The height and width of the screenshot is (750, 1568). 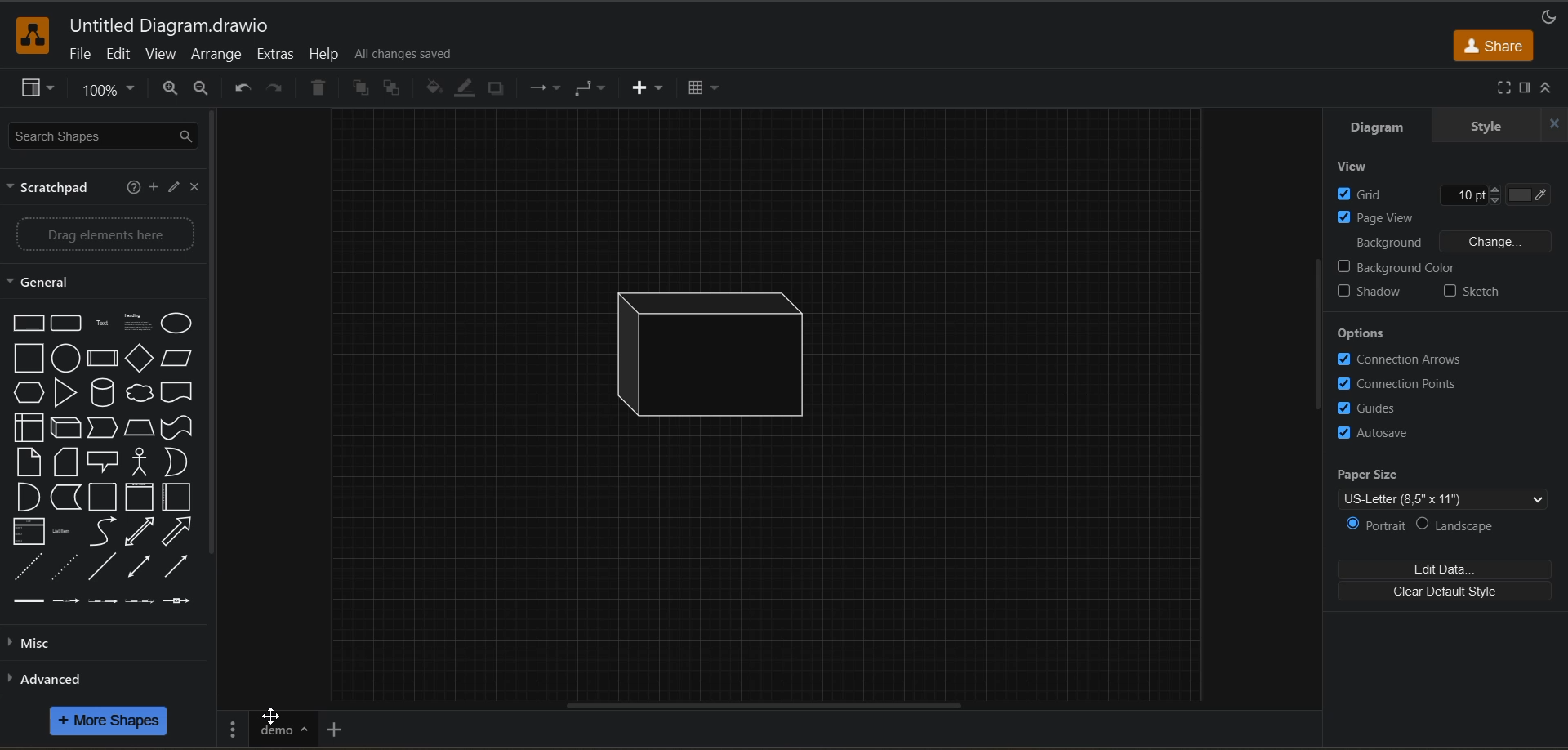 I want to click on format, so click(x=1526, y=88).